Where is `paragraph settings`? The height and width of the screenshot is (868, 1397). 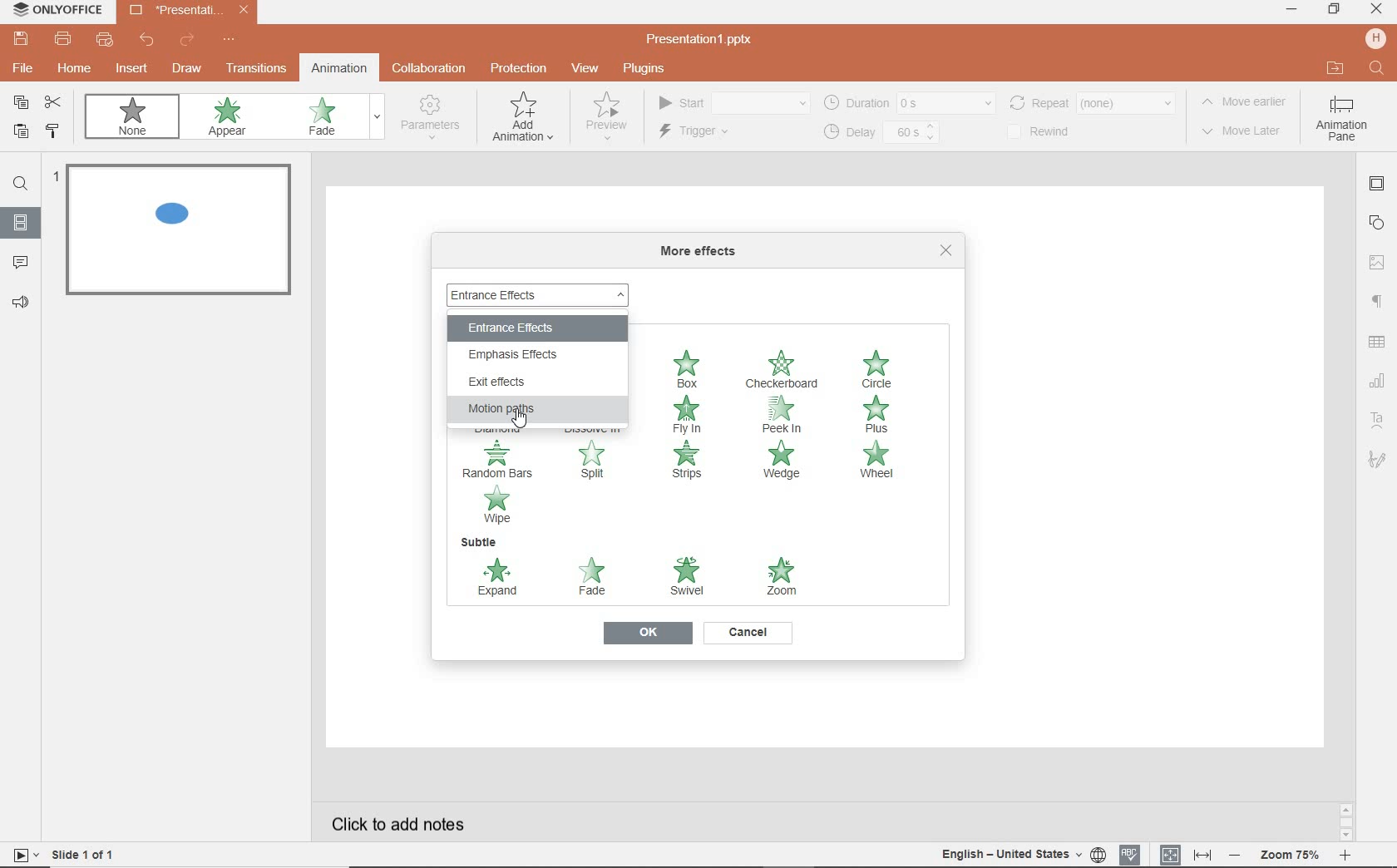 paragraph settings is located at coordinates (1376, 303).